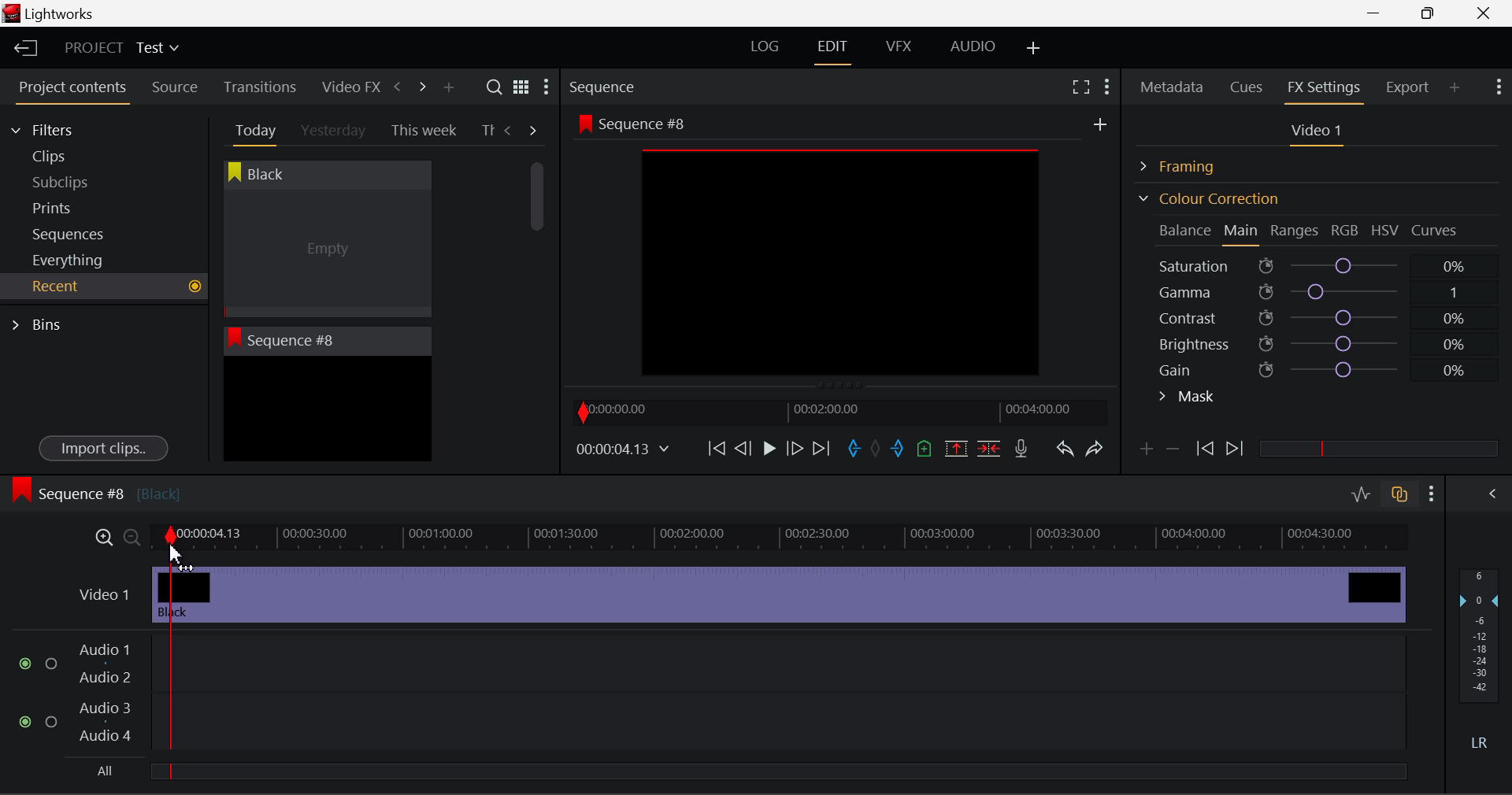 The image size is (1512, 795). Describe the element at coordinates (821, 449) in the screenshot. I see `To End` at that location.